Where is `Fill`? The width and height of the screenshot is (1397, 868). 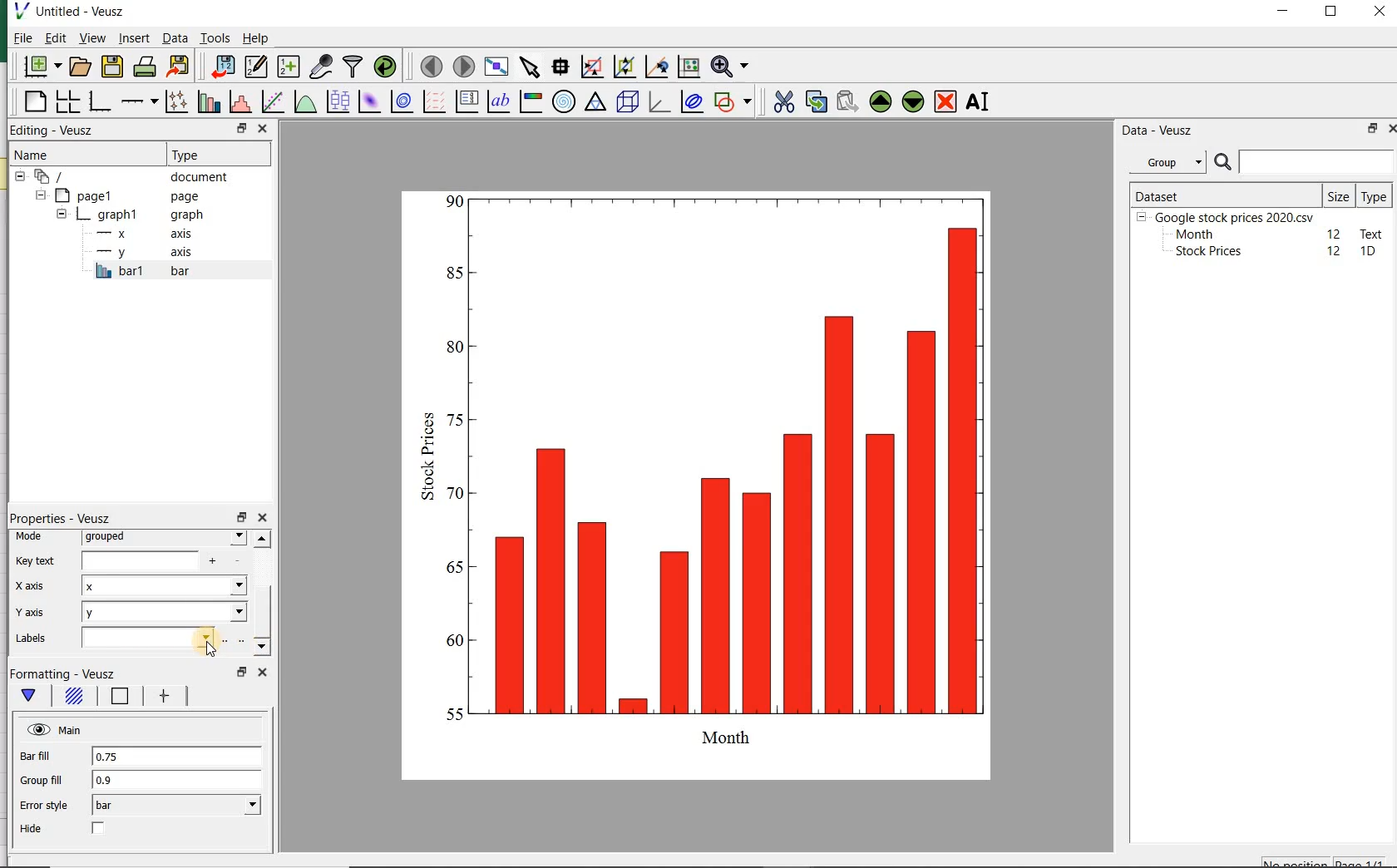 Fill is located at coordinates (76, 697).